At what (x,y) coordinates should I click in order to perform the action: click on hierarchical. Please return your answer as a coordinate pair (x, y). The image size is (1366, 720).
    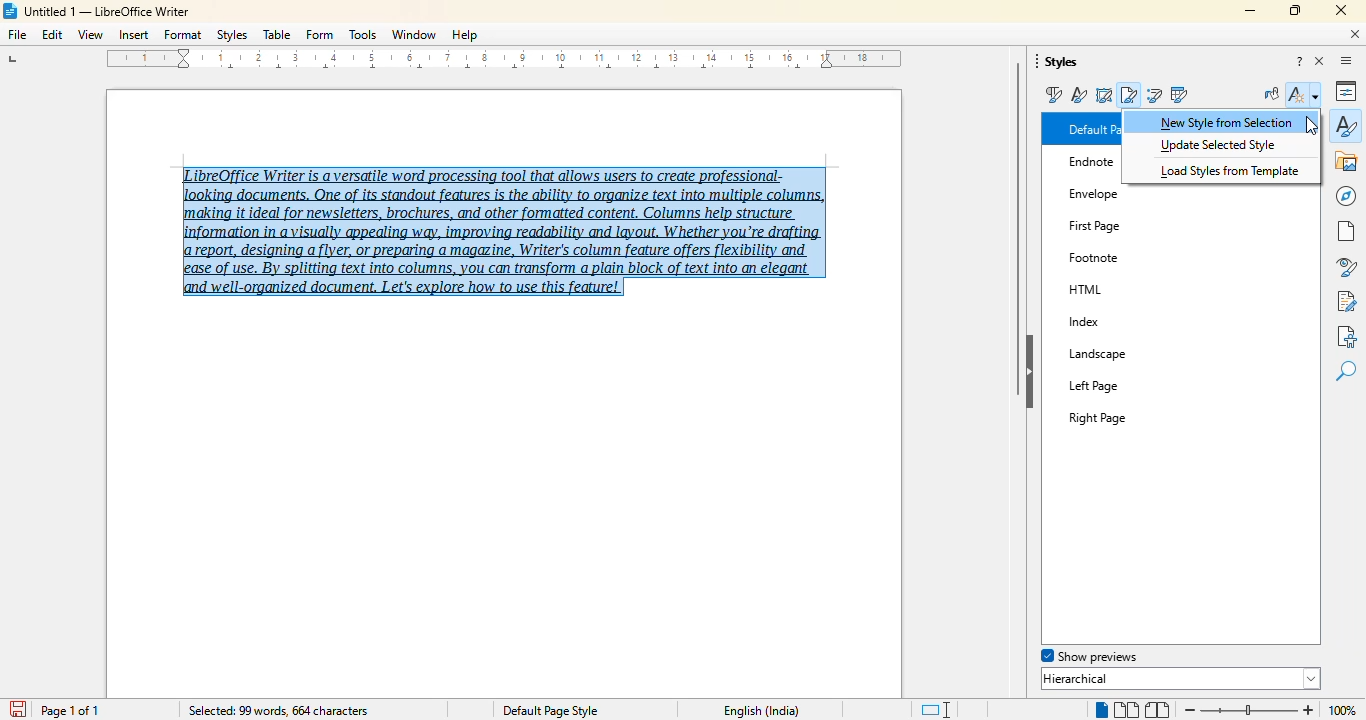
    Looking at the image, I should click on (1181, 678).